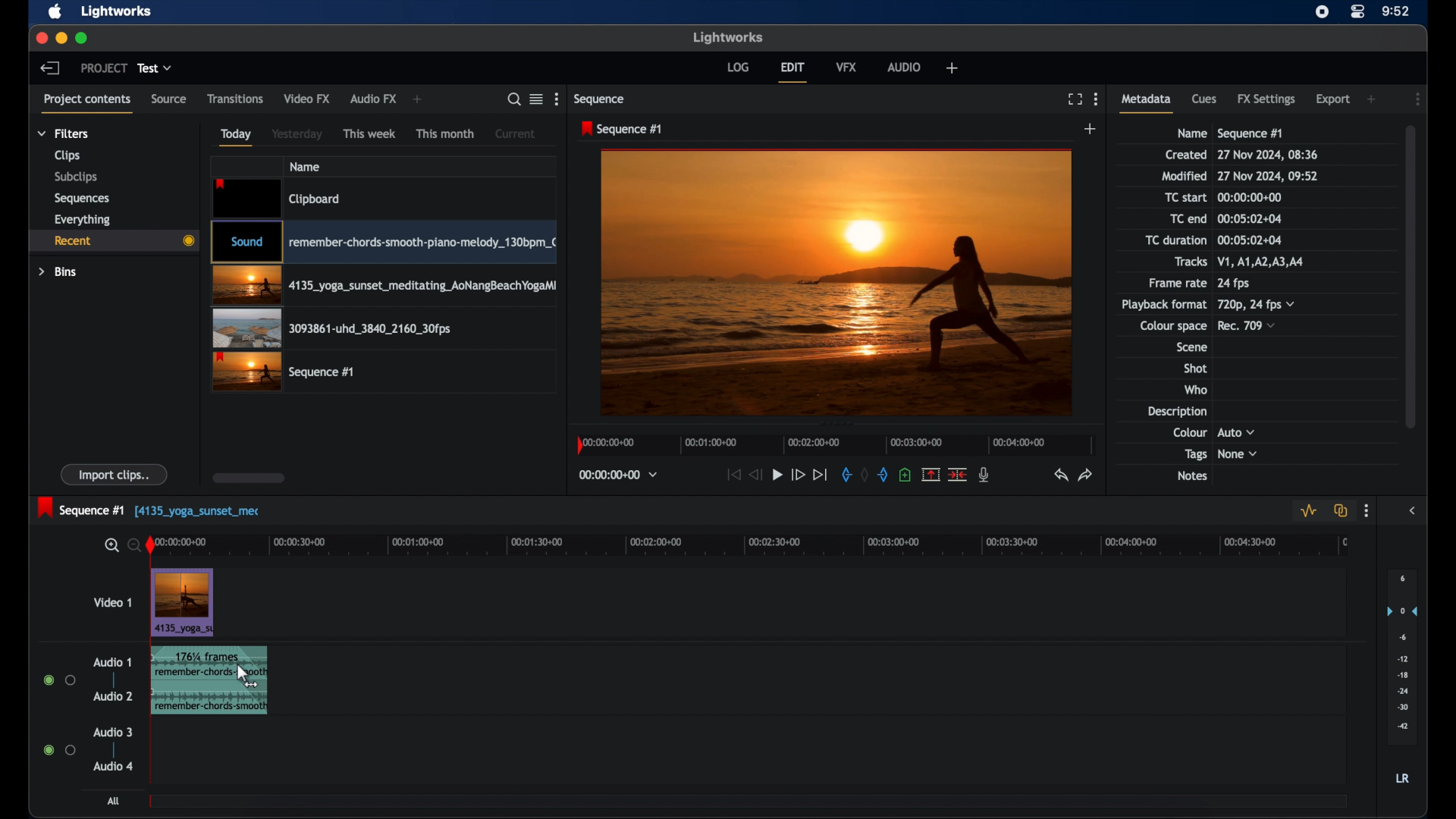 Image resolution: width=1456 pixels, height=819 pixels. I want to click on bins, so click(58, 272).